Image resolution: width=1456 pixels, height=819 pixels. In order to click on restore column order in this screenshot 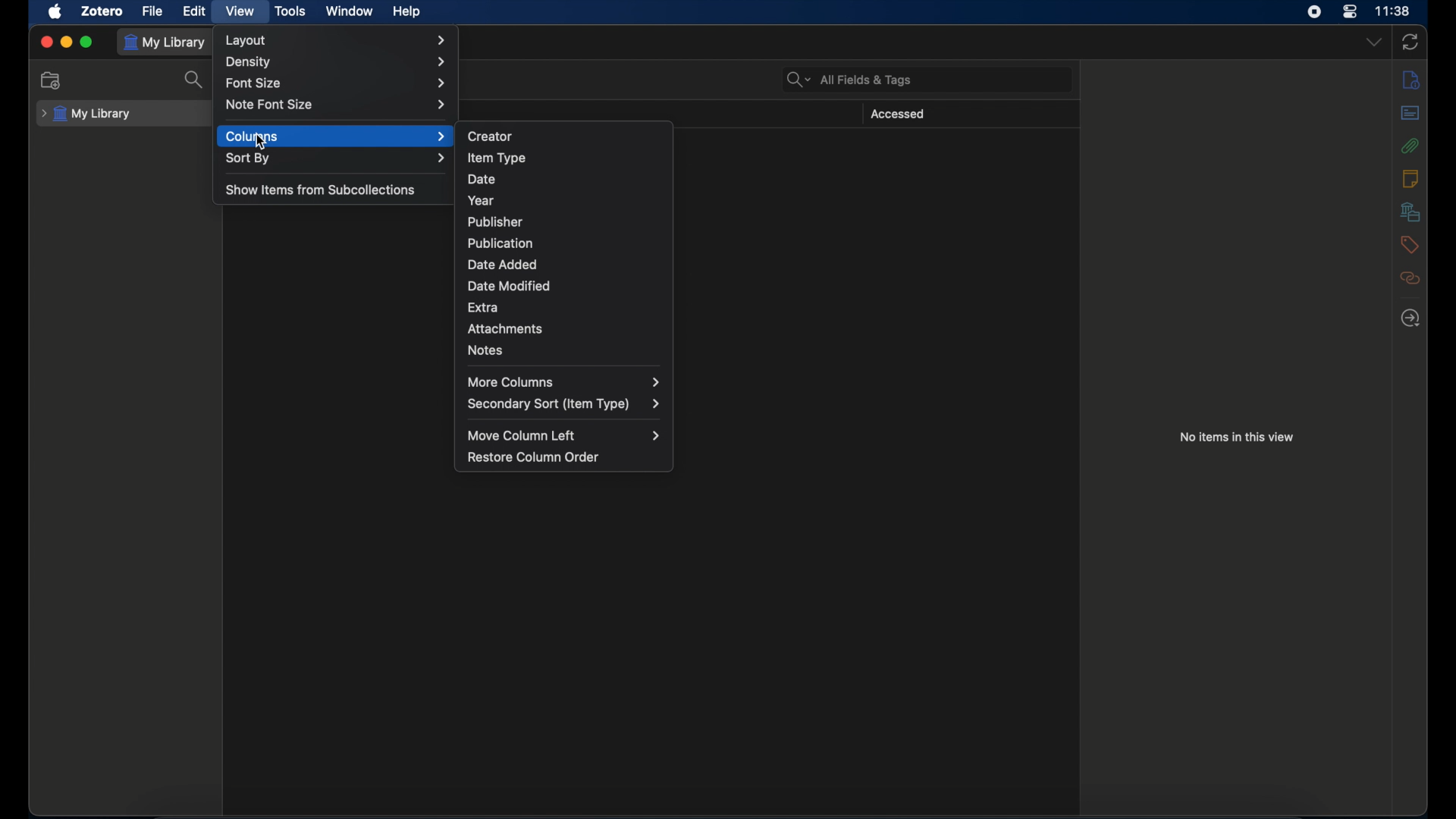, I will do `click(533, 457)`.